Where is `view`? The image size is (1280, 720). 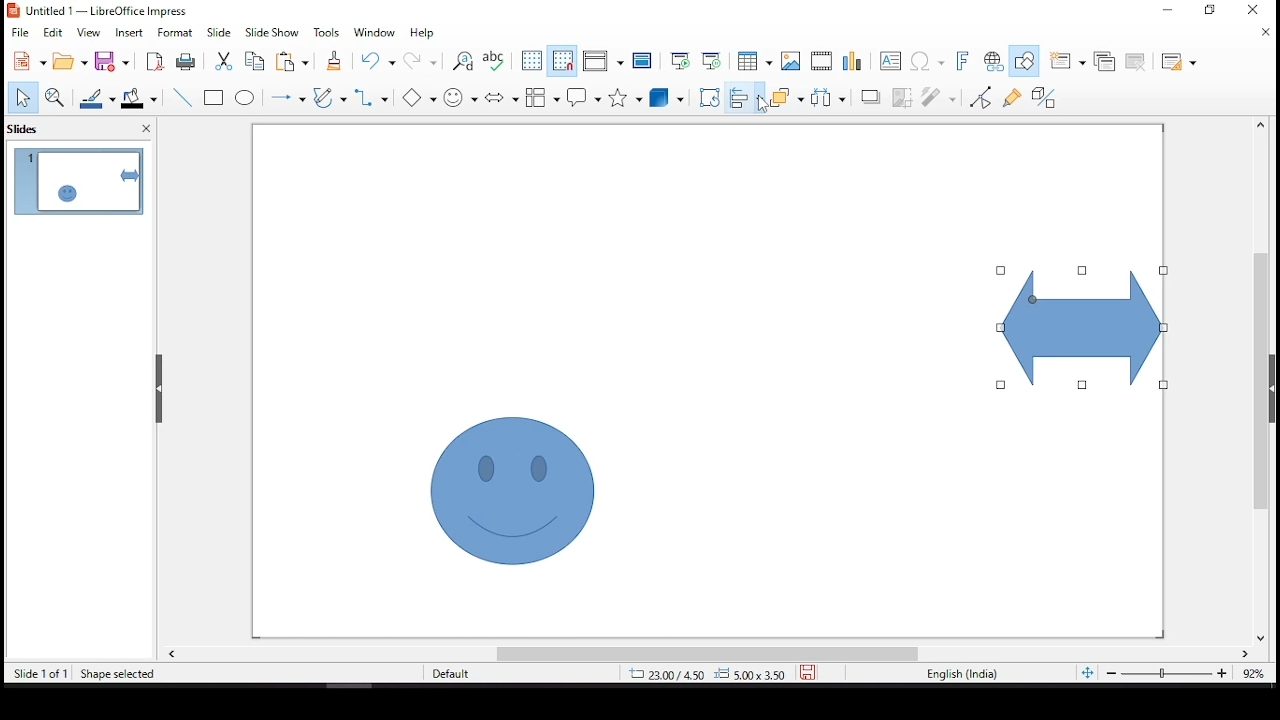 view is located at coordinates (90, 33).